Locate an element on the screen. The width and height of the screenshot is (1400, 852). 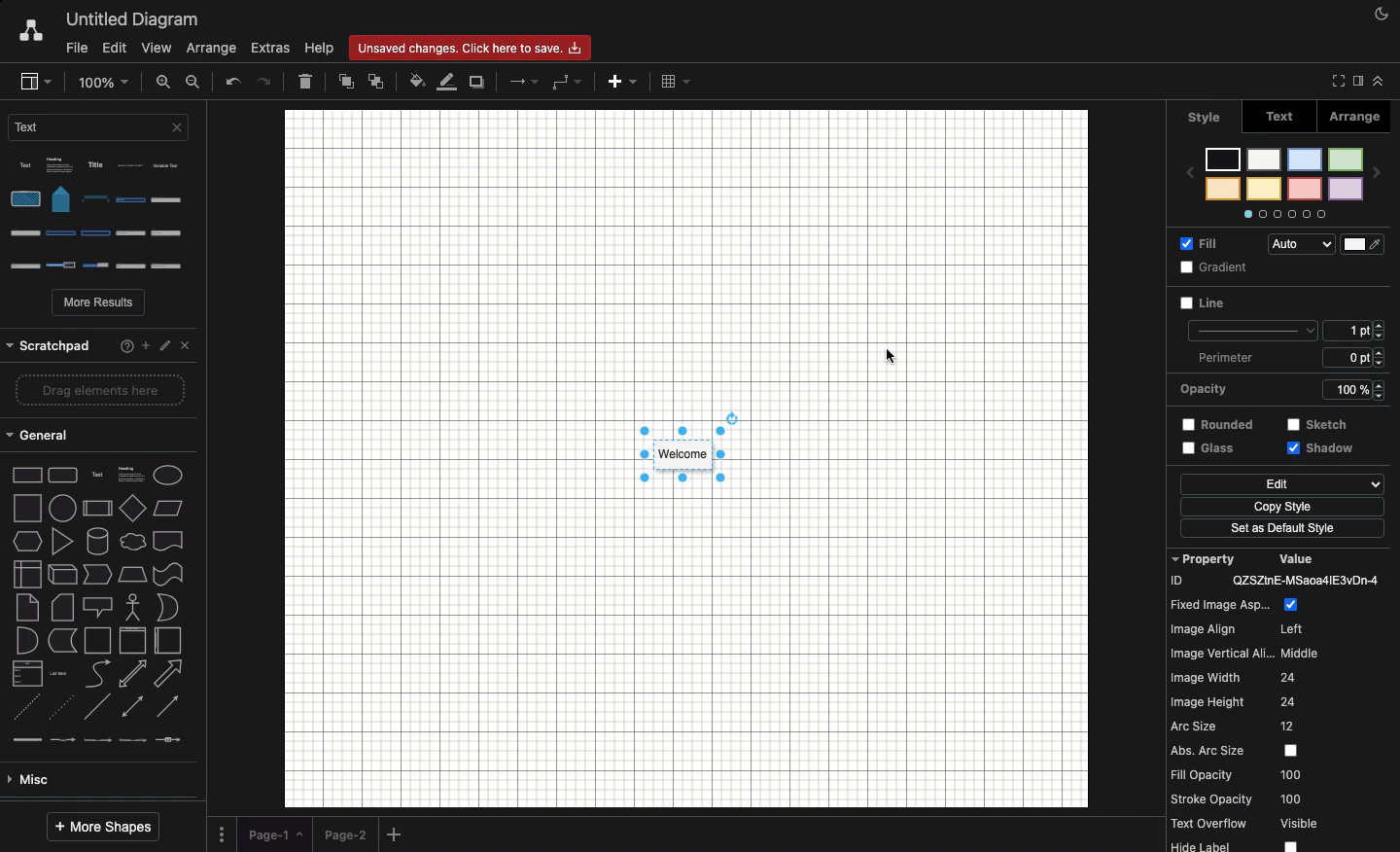
Duplicate is located at coordinates (478, 83).